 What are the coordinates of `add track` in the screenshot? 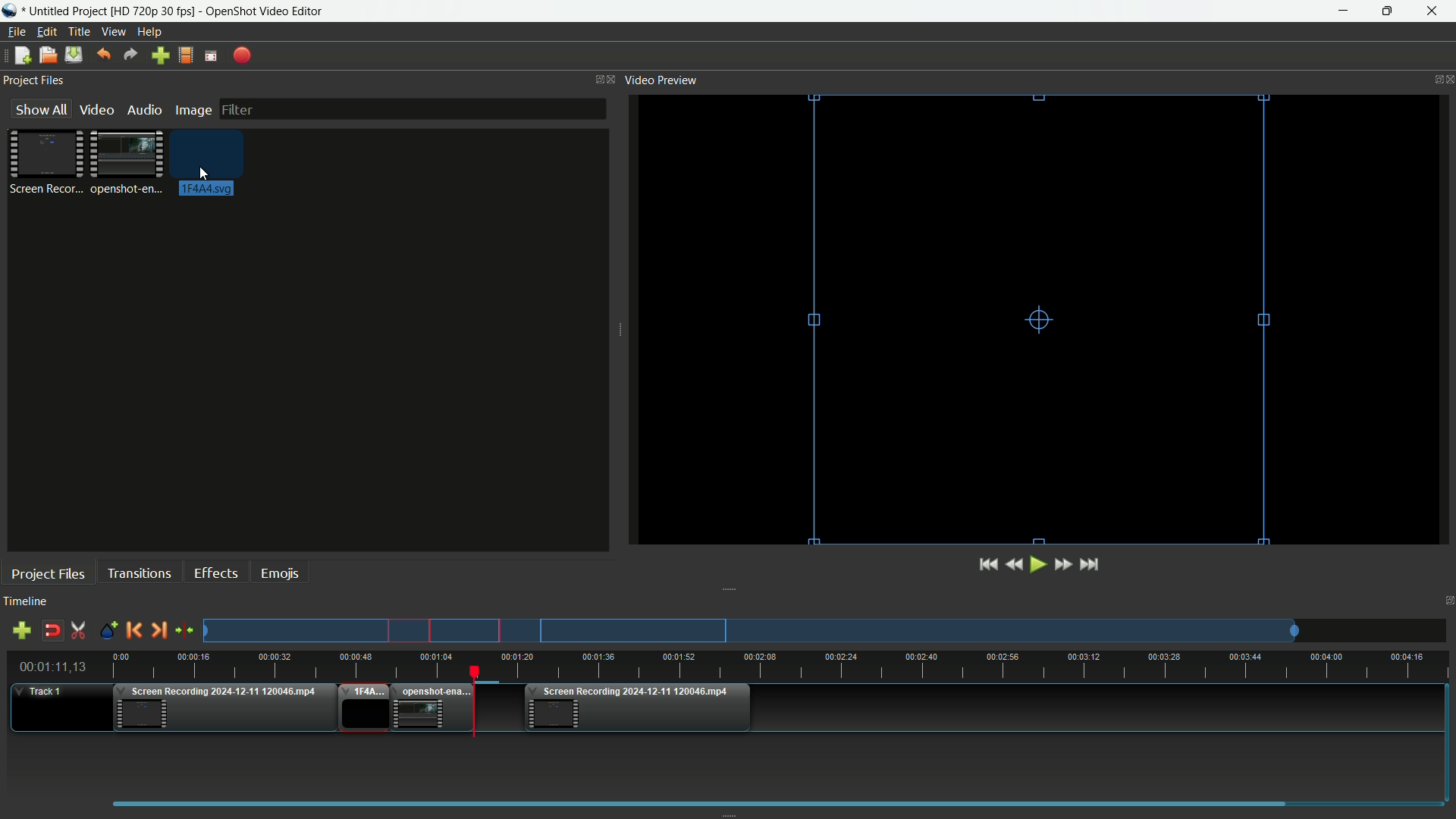 It's located at (19, 631).